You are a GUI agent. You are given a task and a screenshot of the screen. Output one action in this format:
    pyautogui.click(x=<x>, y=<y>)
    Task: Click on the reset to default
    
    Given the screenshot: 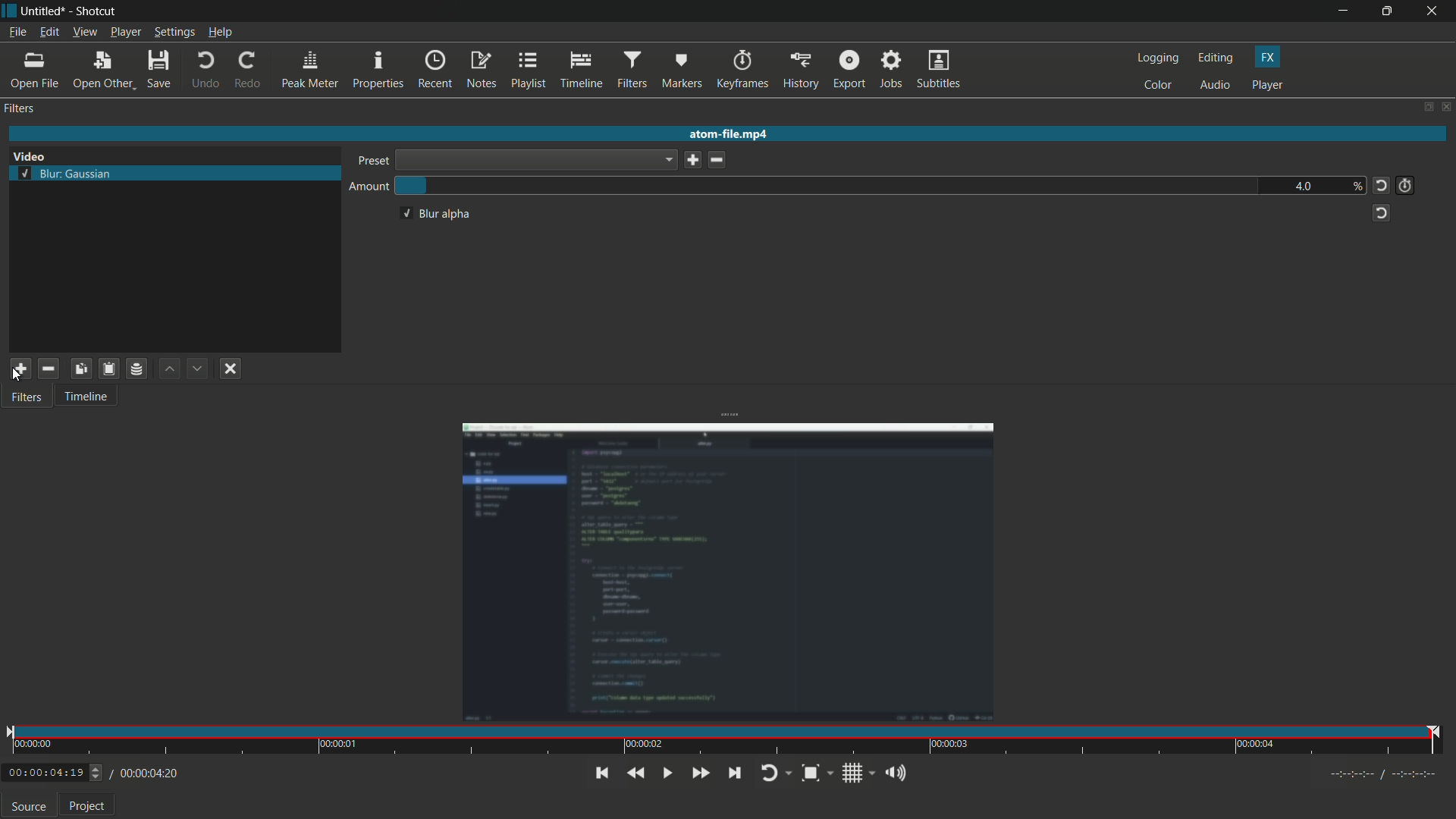 What is the action you would take?
    pyautogui.click(x=1380, y=214)
    